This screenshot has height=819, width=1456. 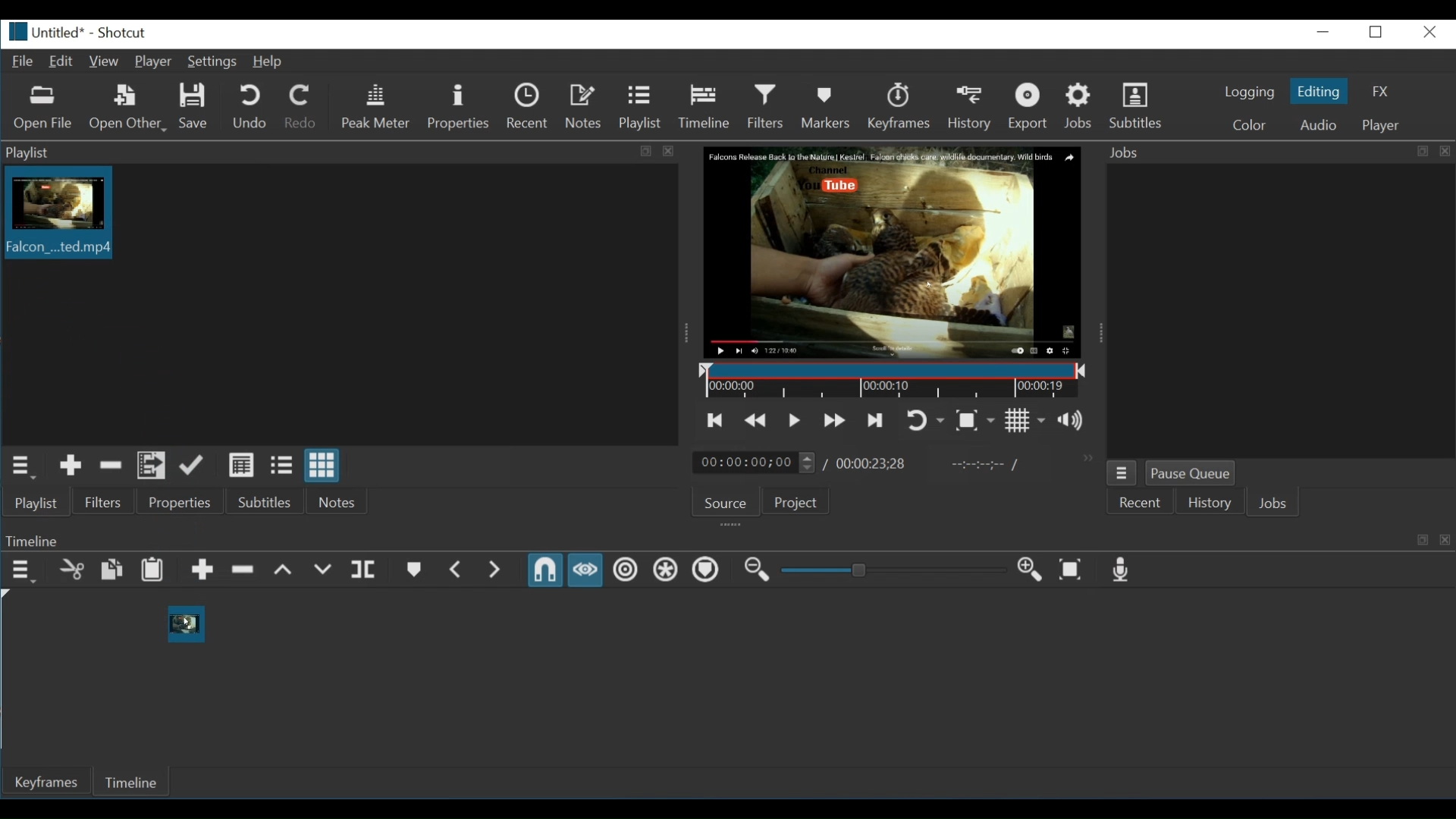 What do you see at coordinates (497, 570) in the screenshot?
I see `Next Marker` at bounding box center [497, 570].